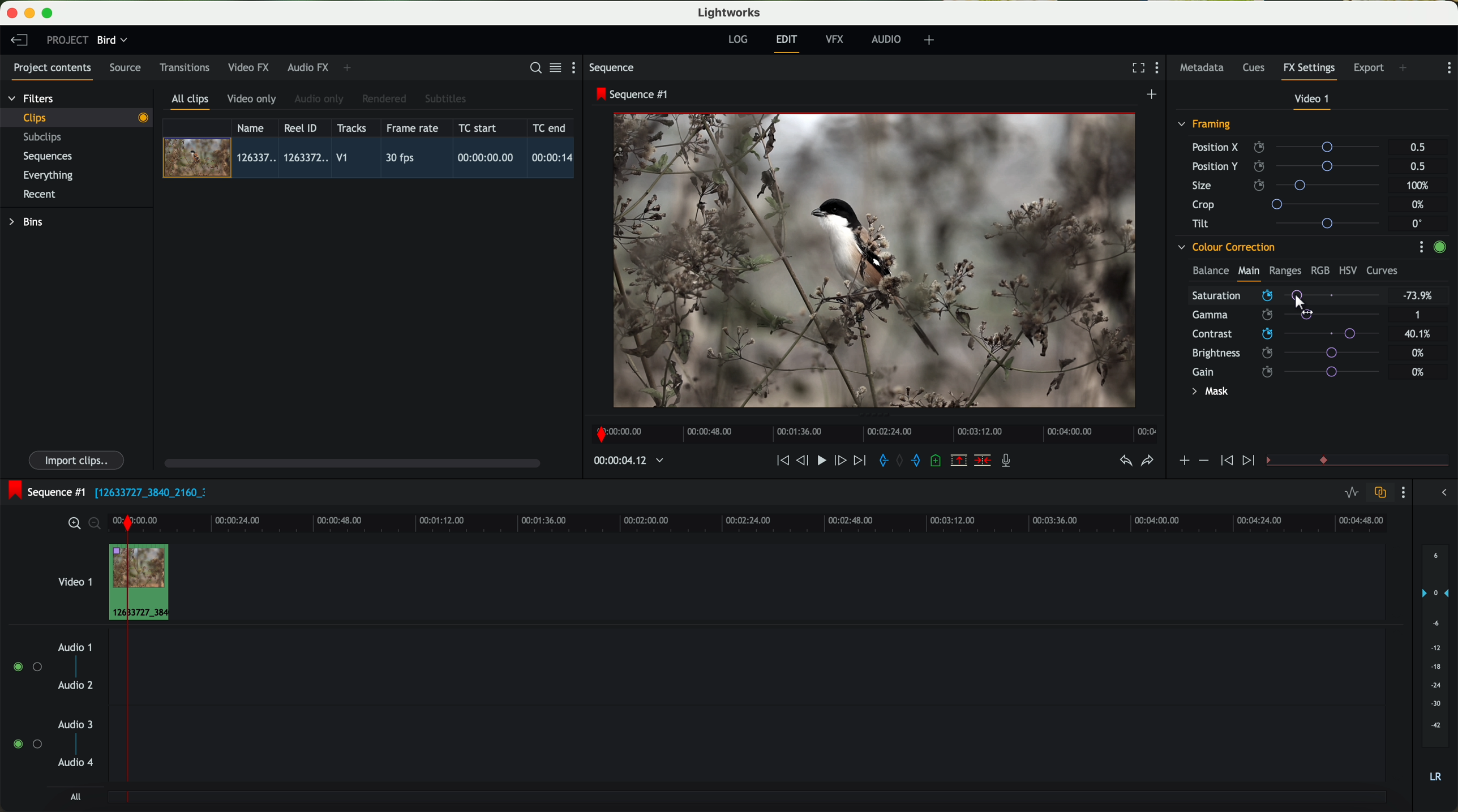 The image size is (1458, 812). Describe the element at coordinates (1183, 462) in the screenshot. I see `icon` at that location.